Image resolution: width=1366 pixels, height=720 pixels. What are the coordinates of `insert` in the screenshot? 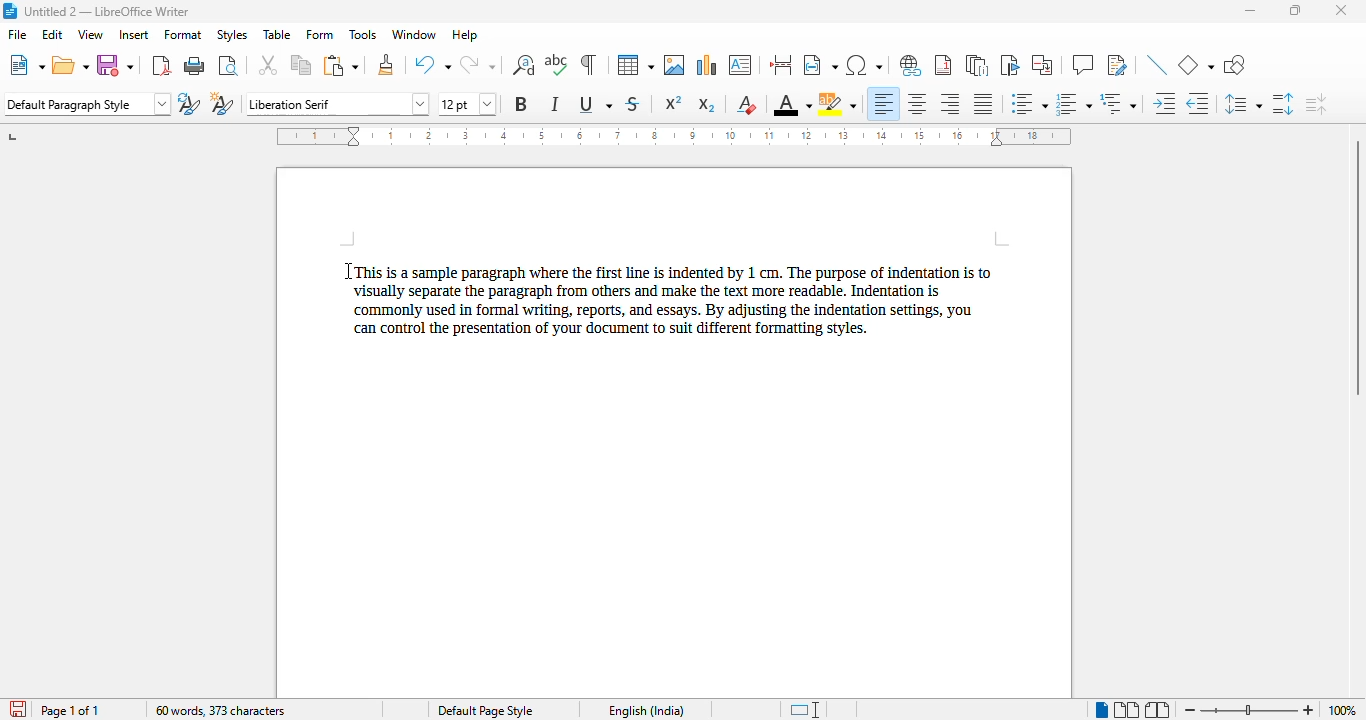 It's located at (133, 33).